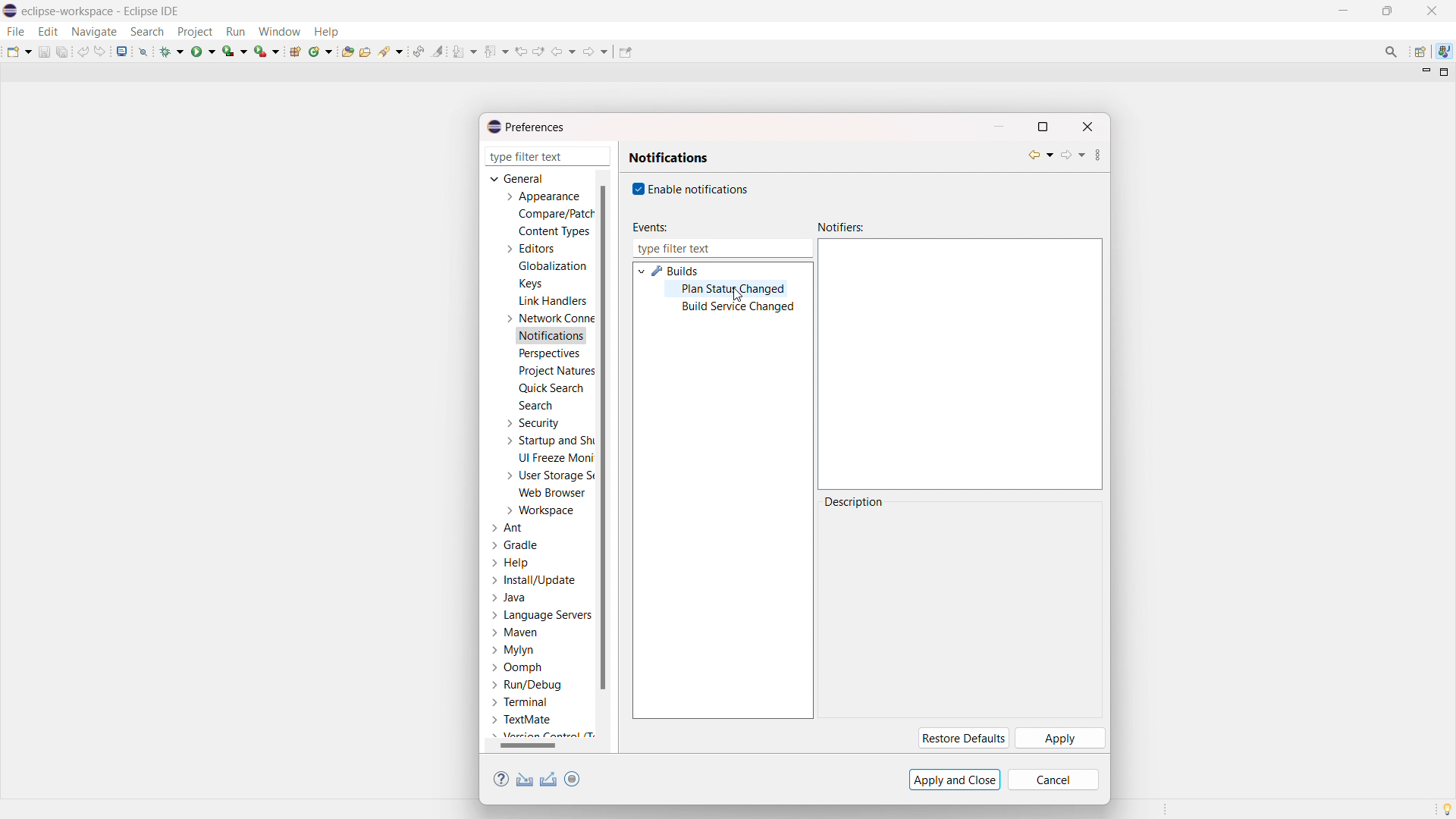 This screenshot has width=1456, height=819. Describe the element at coordinates (279, 31) in the screenshot. I see `window` at that location.